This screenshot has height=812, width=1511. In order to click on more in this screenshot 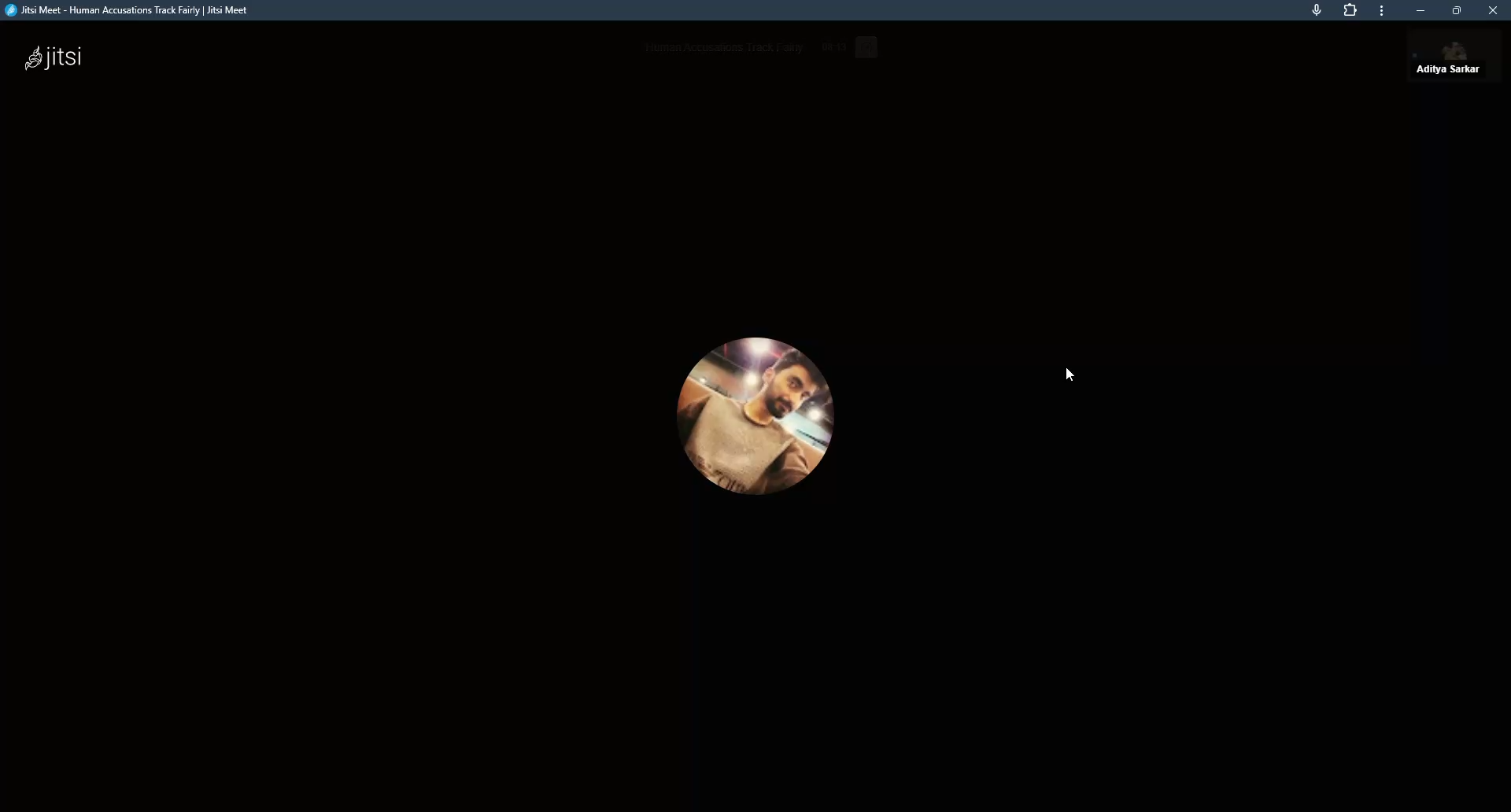, I will do `click(1380, 11)`.